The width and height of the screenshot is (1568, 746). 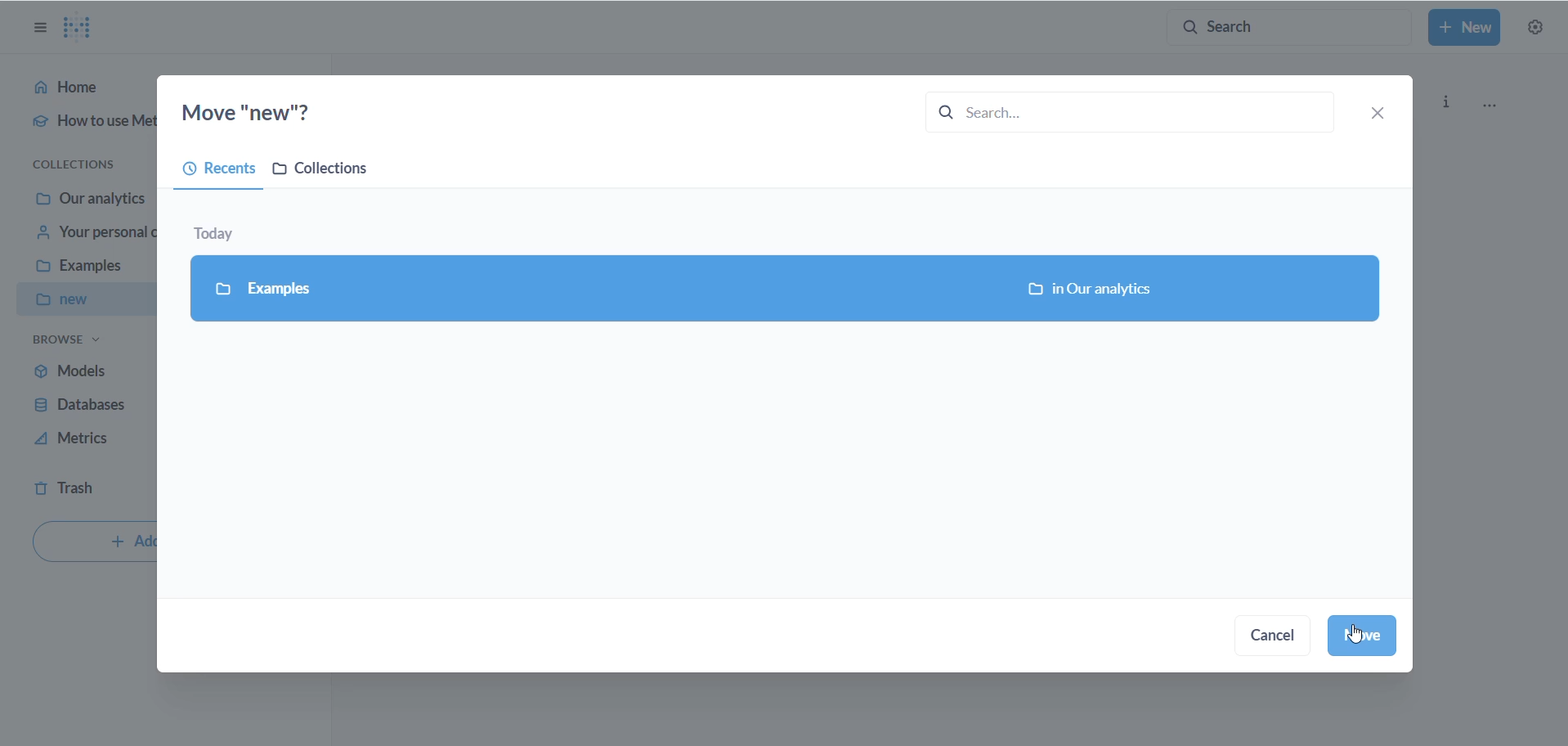 I want to click on COLLECTIONS, so click(x=329, y=172).